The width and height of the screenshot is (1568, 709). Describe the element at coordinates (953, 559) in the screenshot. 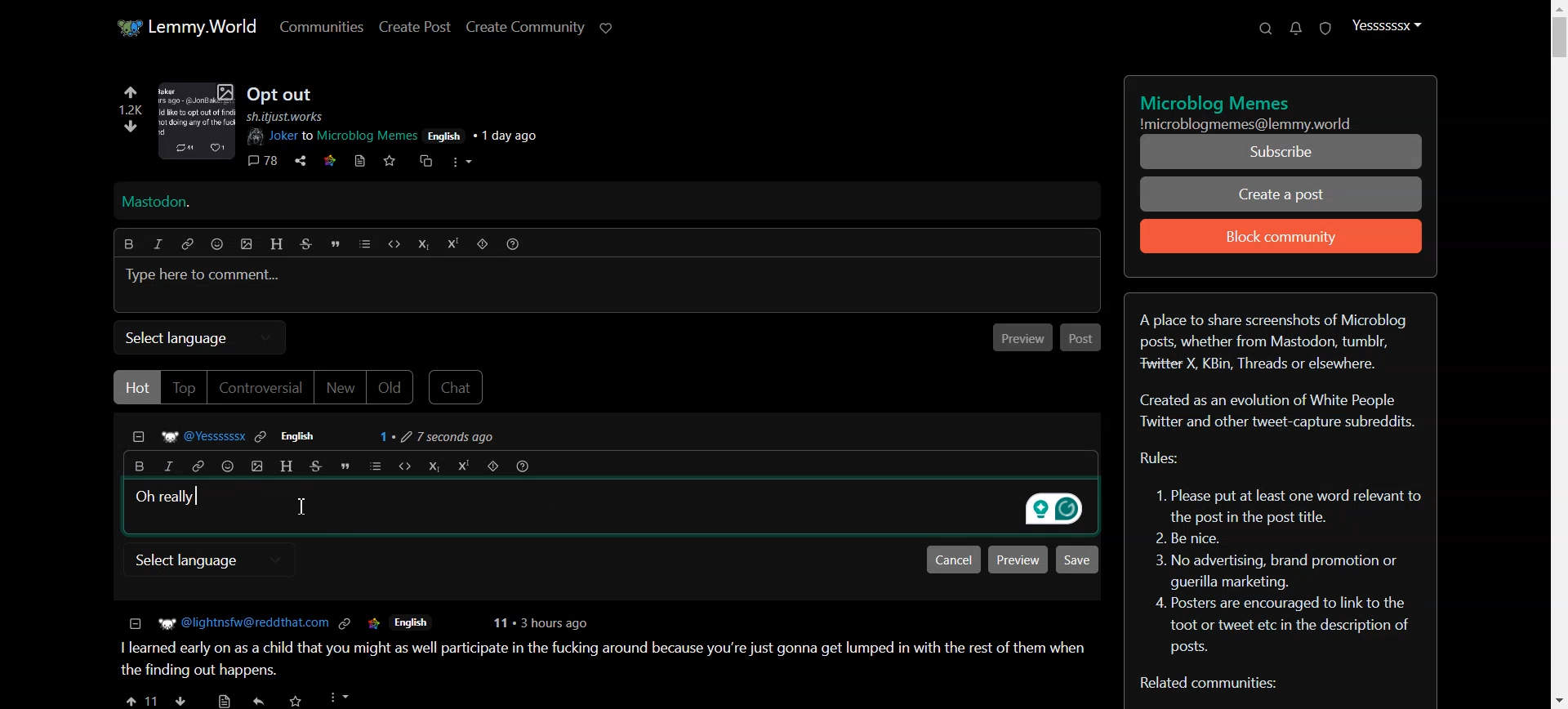

I see `Cancel` at that location.